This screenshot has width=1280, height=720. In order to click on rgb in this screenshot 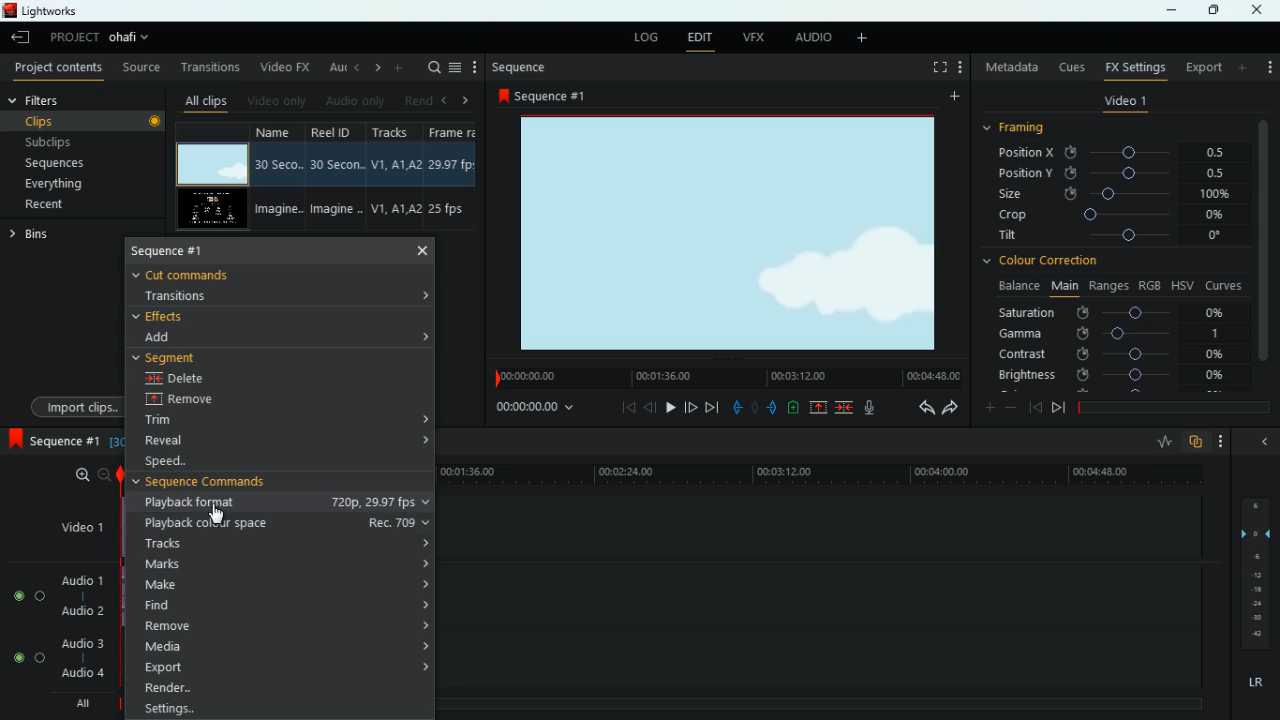, I will do `click(1150, 285)`.